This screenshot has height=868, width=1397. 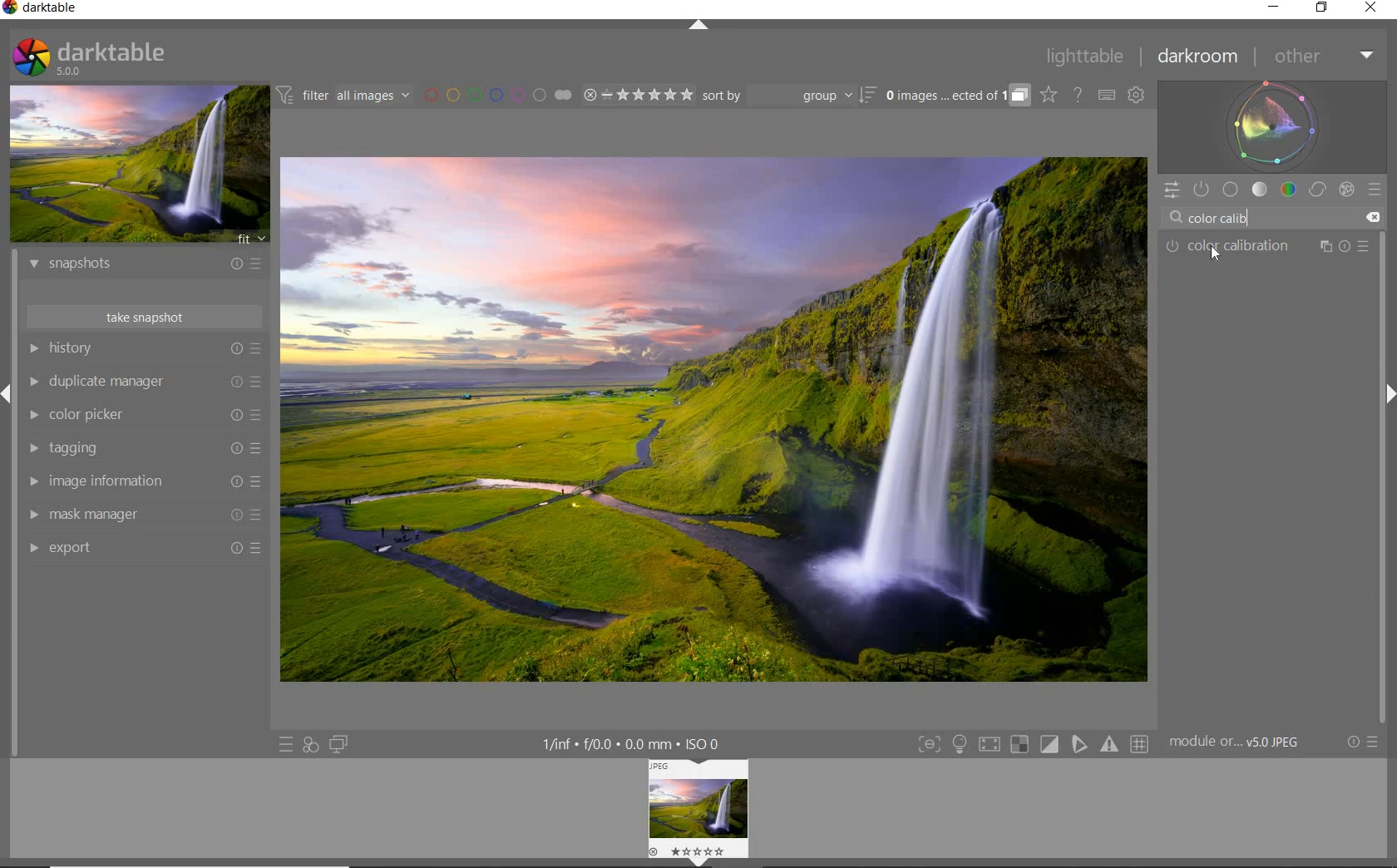 I want to click on SYSTEM LOGO, so click(x=90, y=57).